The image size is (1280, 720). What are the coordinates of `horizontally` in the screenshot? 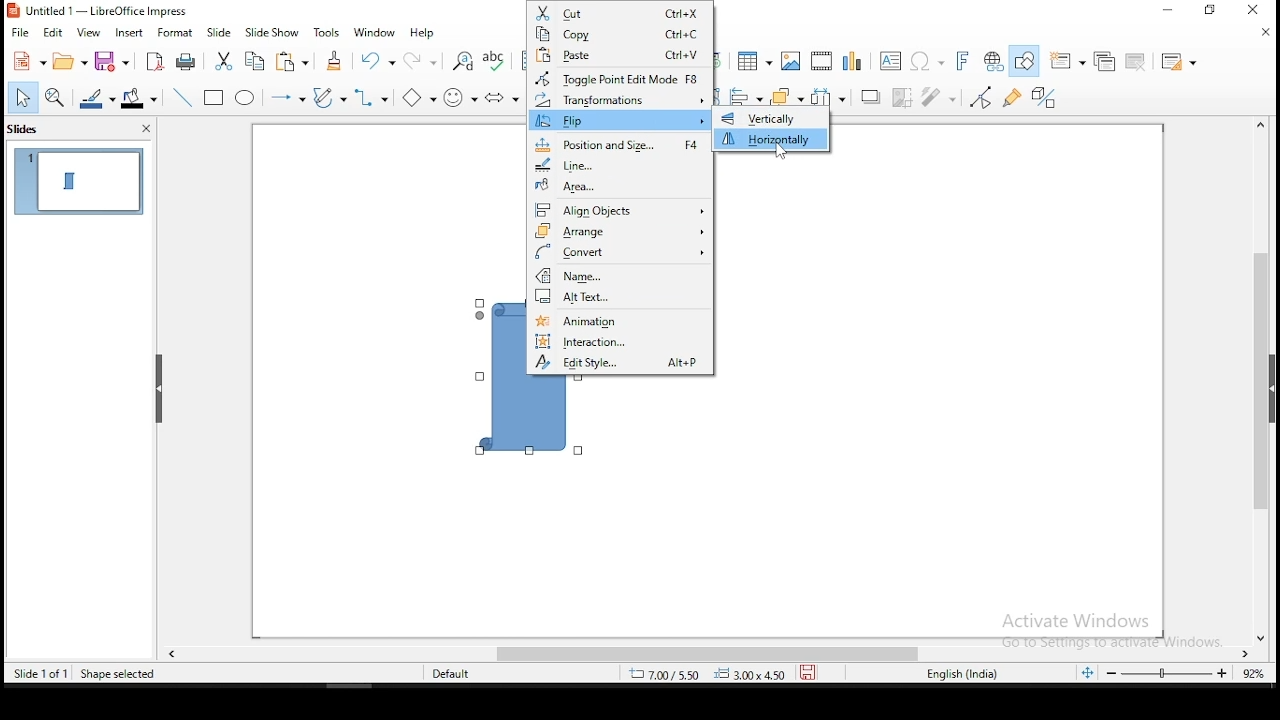 It's located at (774, 140).